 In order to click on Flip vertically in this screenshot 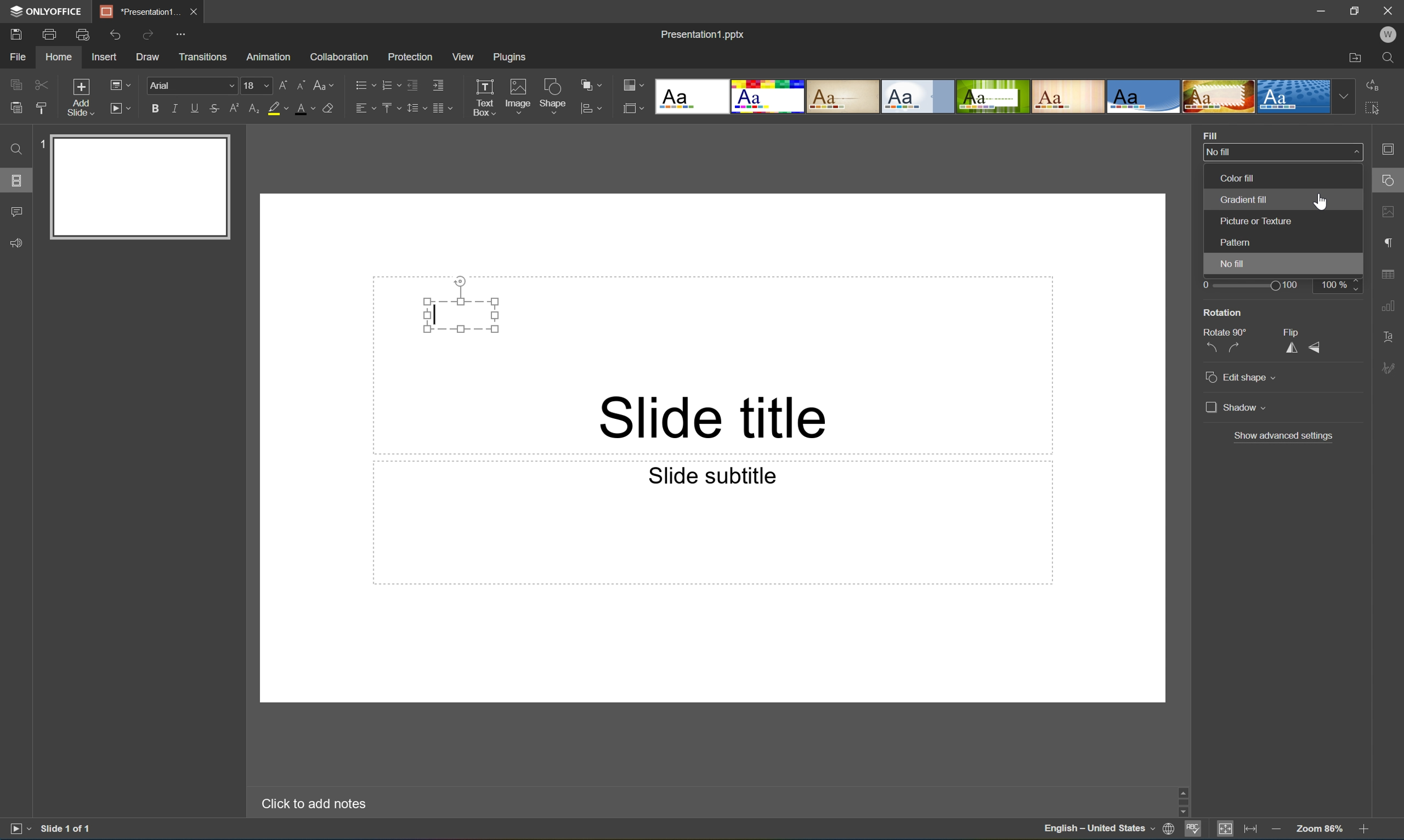, I will do `click(1320, 348)`.